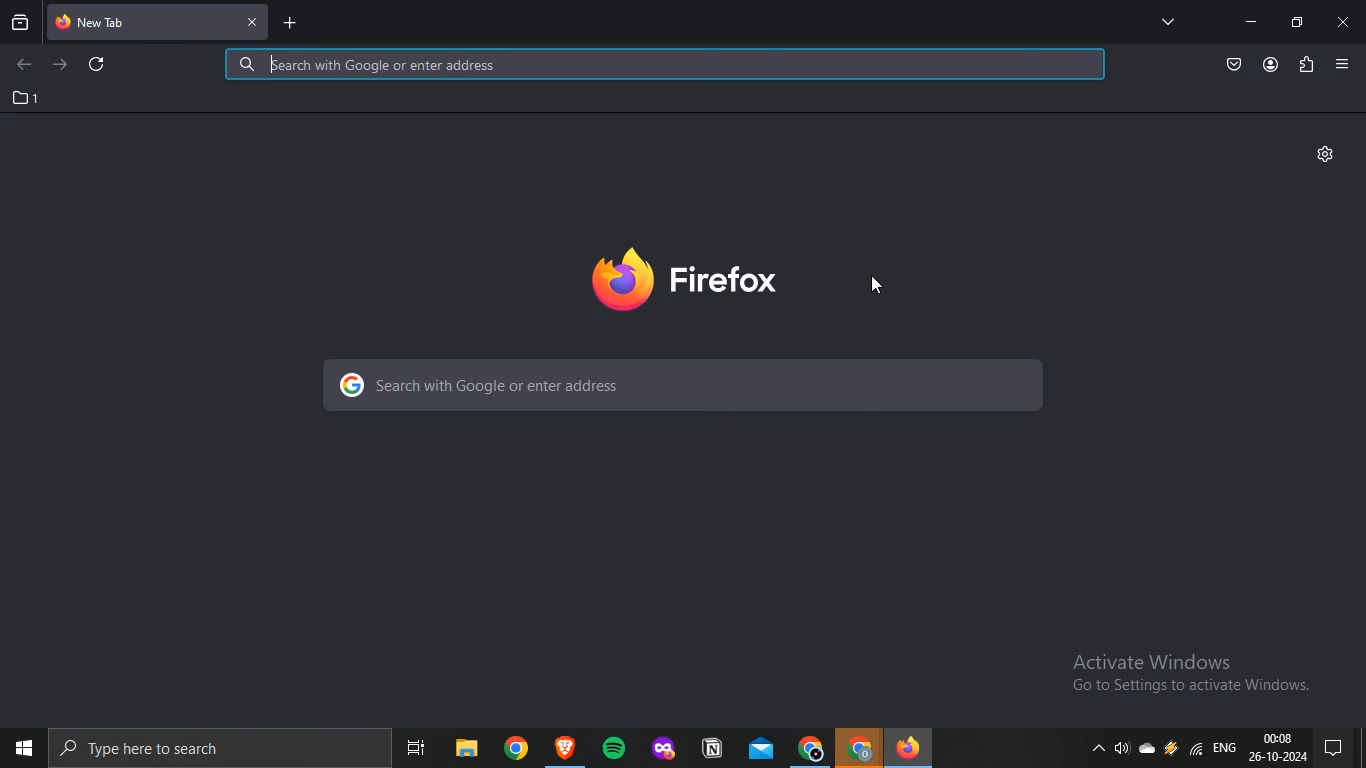 This screenshot has height=768, width=1366. Describe the element at coordinates (412, 743) in the screenshot. I see `` at that location.